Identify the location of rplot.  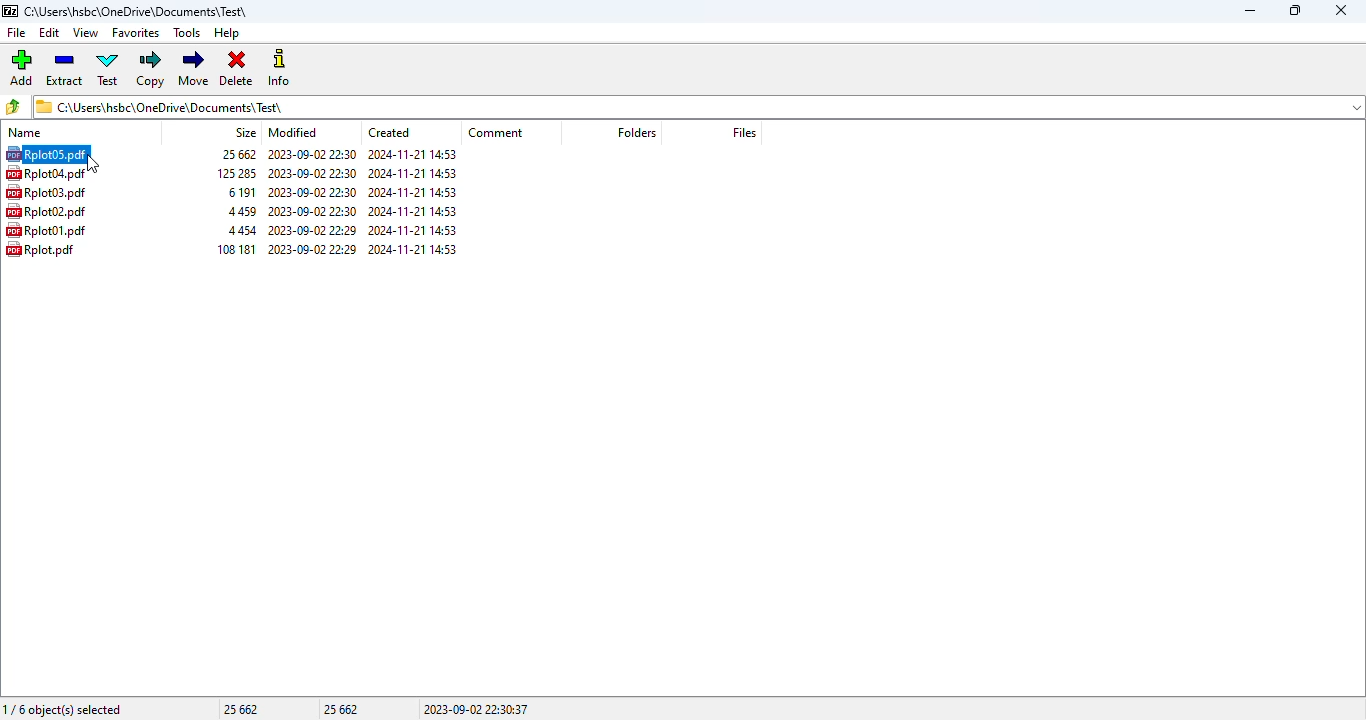
(41, 249).